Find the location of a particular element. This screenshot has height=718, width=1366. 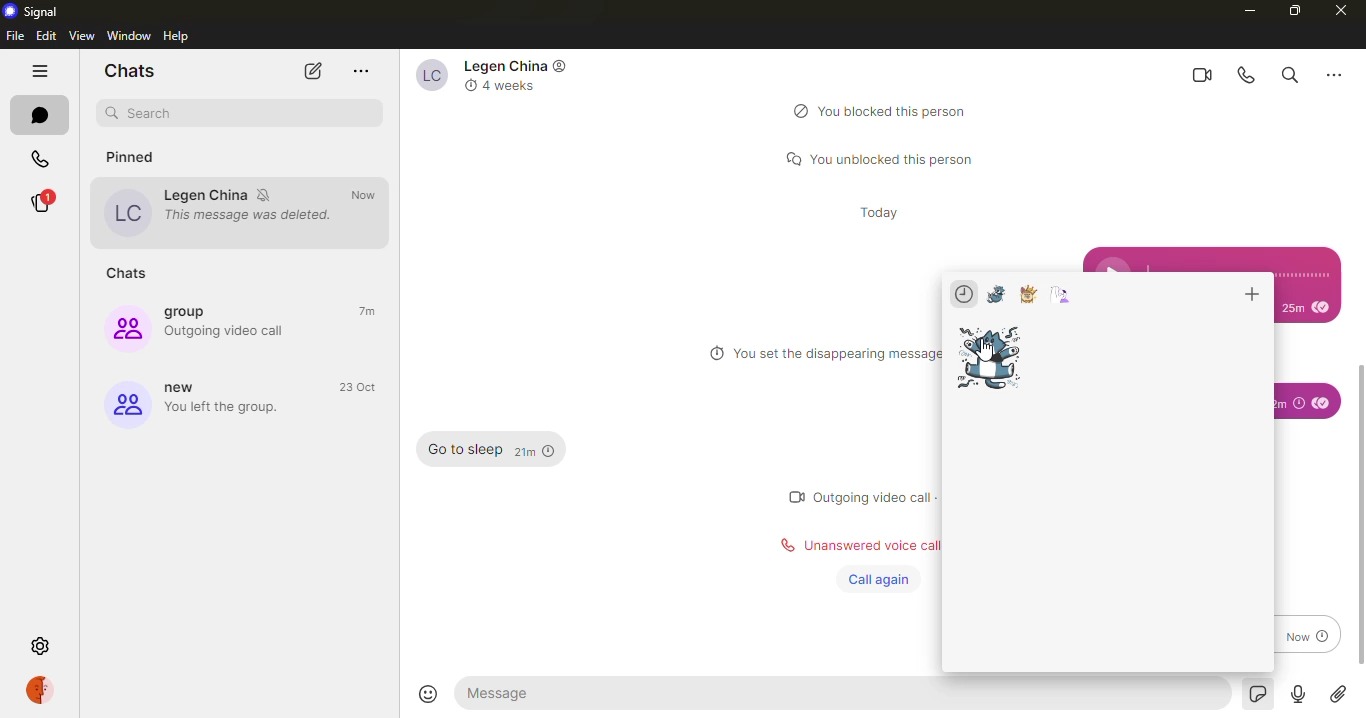

today is located at coordinates (882, 211).